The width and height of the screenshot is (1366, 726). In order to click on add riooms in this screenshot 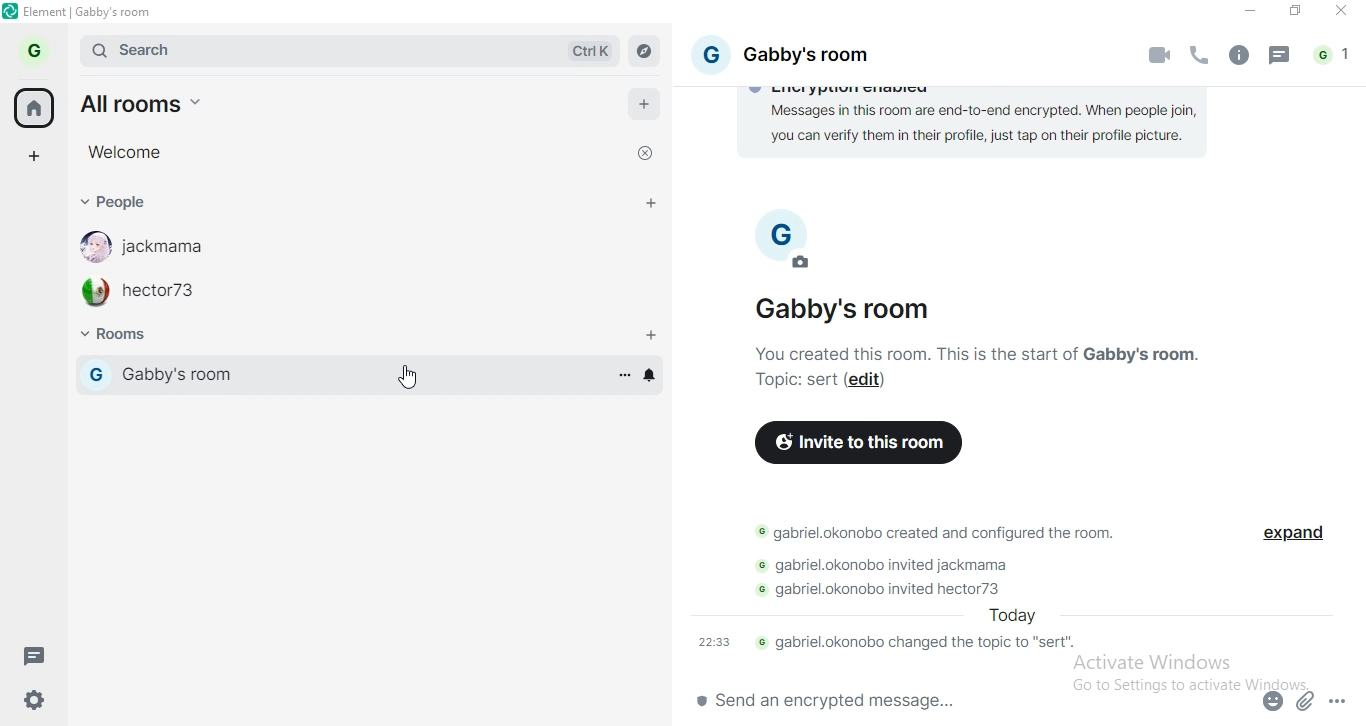, I will do `click(652, 336)`.